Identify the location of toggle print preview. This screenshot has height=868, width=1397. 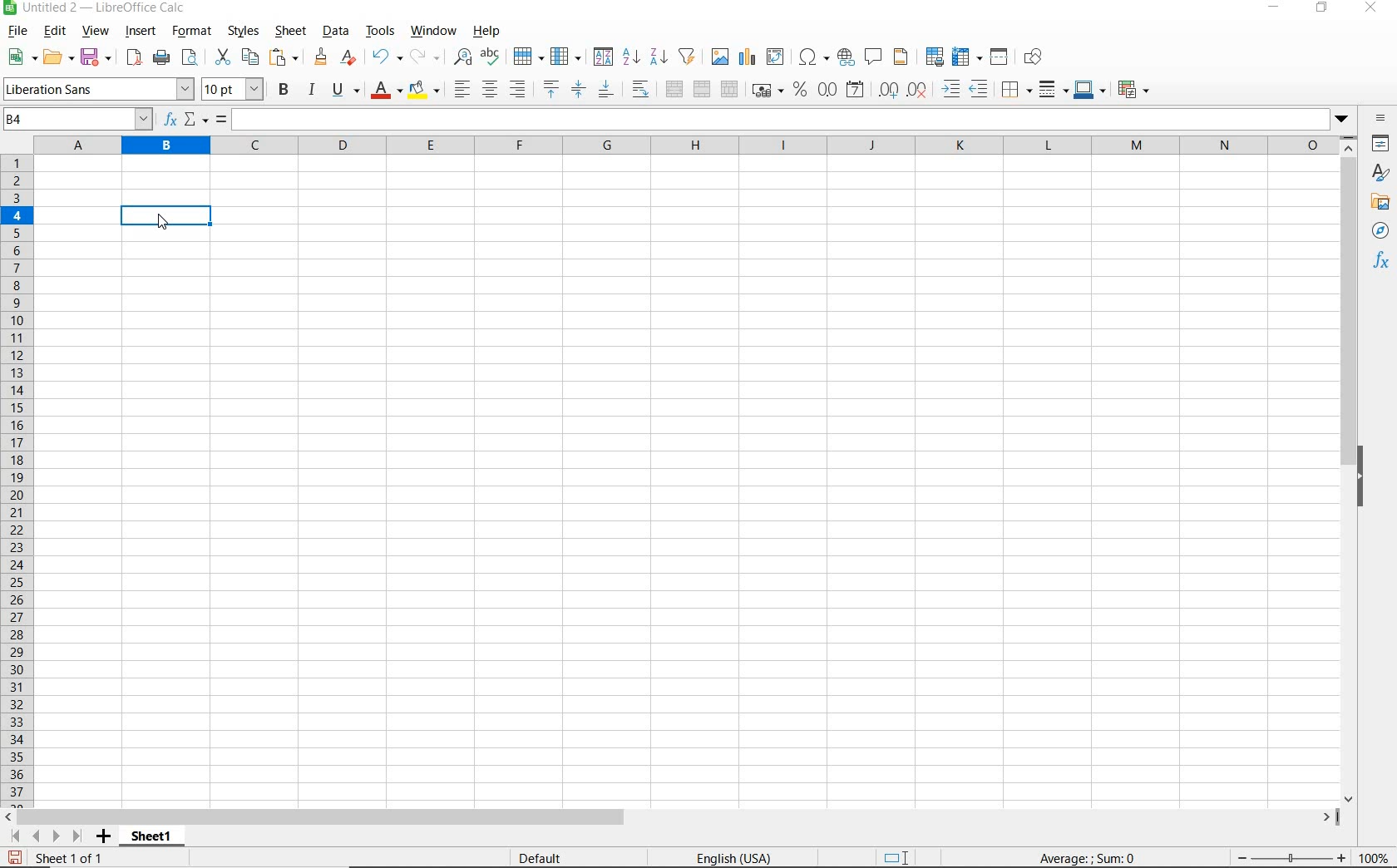
(190, 57).